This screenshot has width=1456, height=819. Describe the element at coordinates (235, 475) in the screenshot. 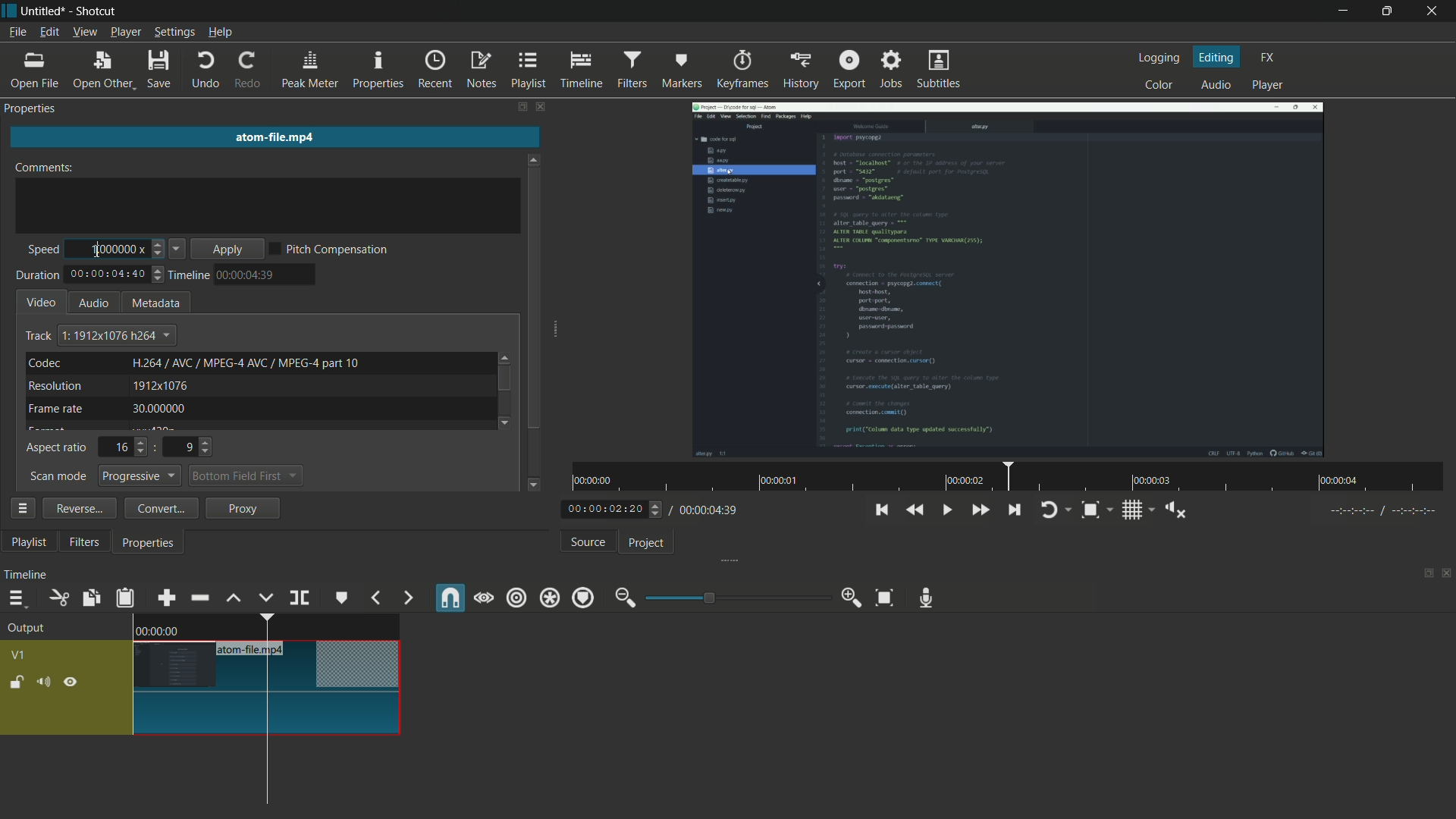

I see `bottom field first` at that location.